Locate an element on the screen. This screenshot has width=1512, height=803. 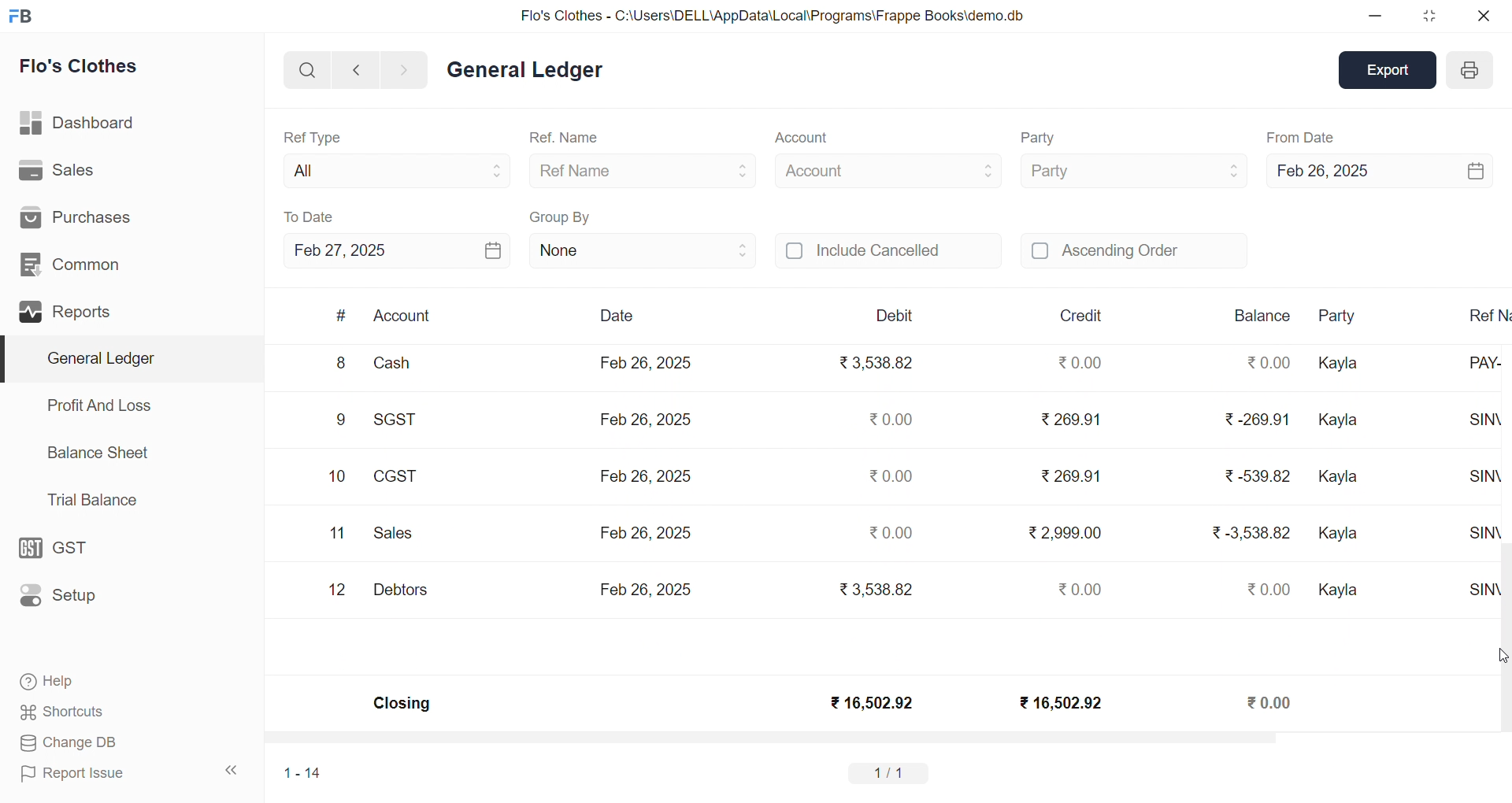
GST is located at coordinates (61, 544).